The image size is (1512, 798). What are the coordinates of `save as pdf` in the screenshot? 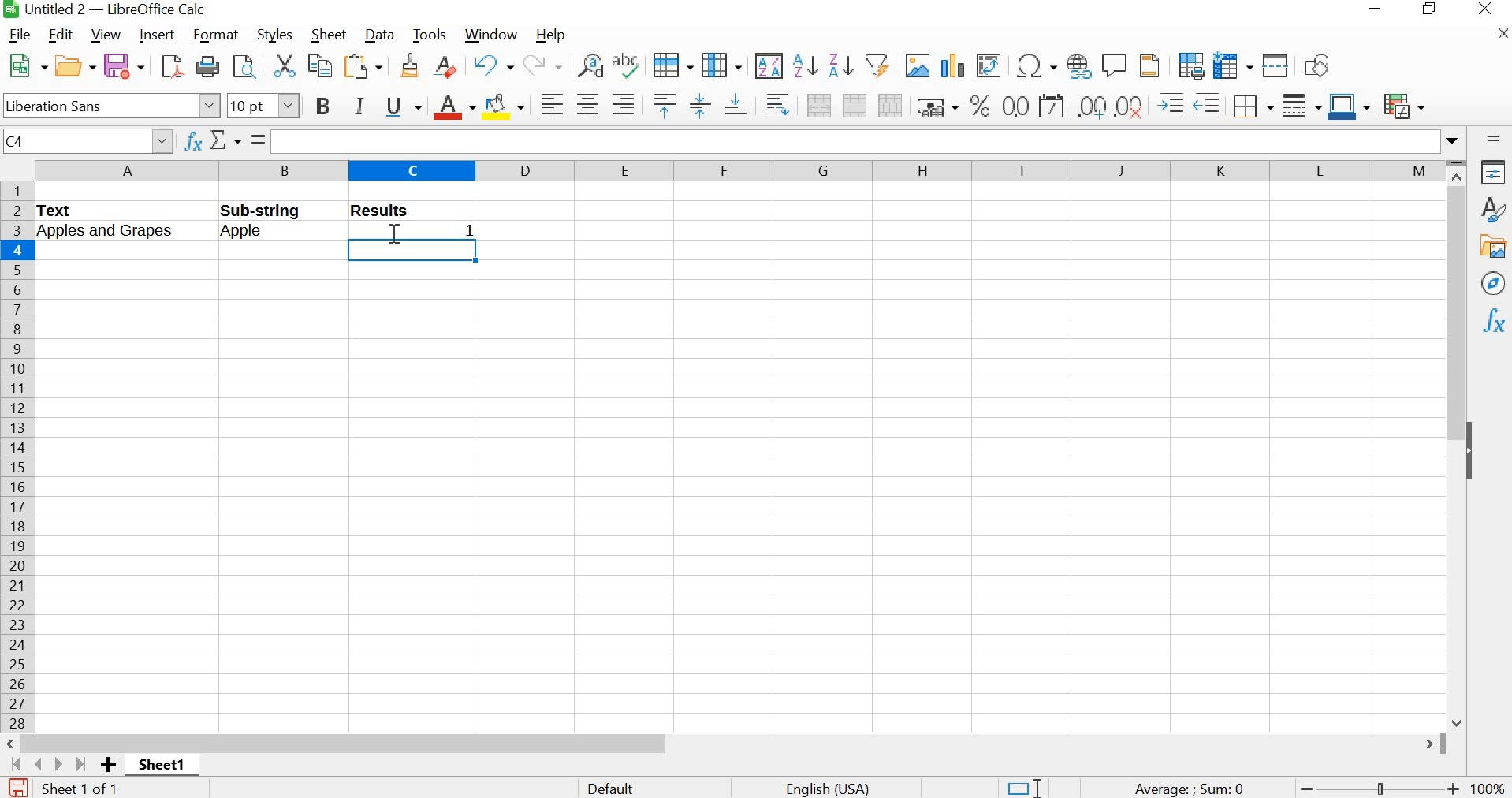 It's located at (169, 66).